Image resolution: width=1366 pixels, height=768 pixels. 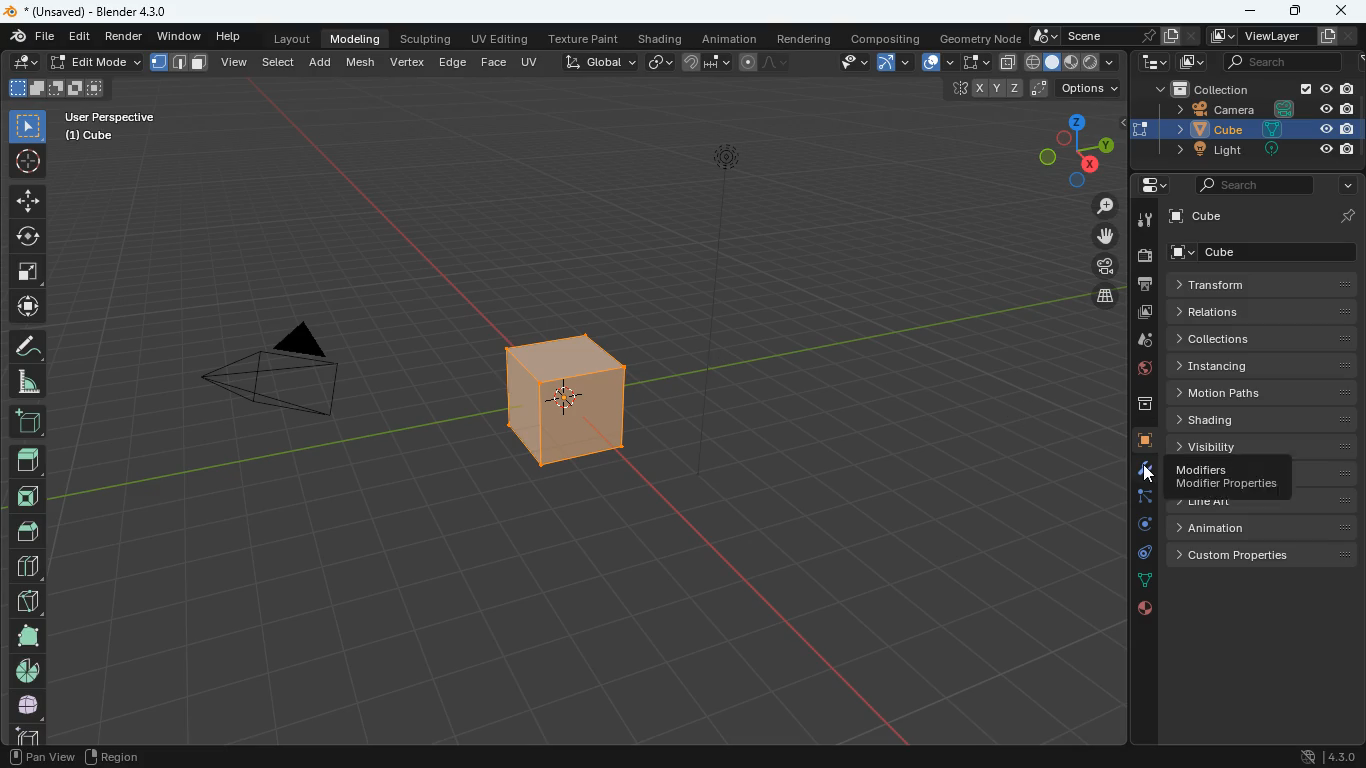 I want to click on view, so click(x=848, y=63).